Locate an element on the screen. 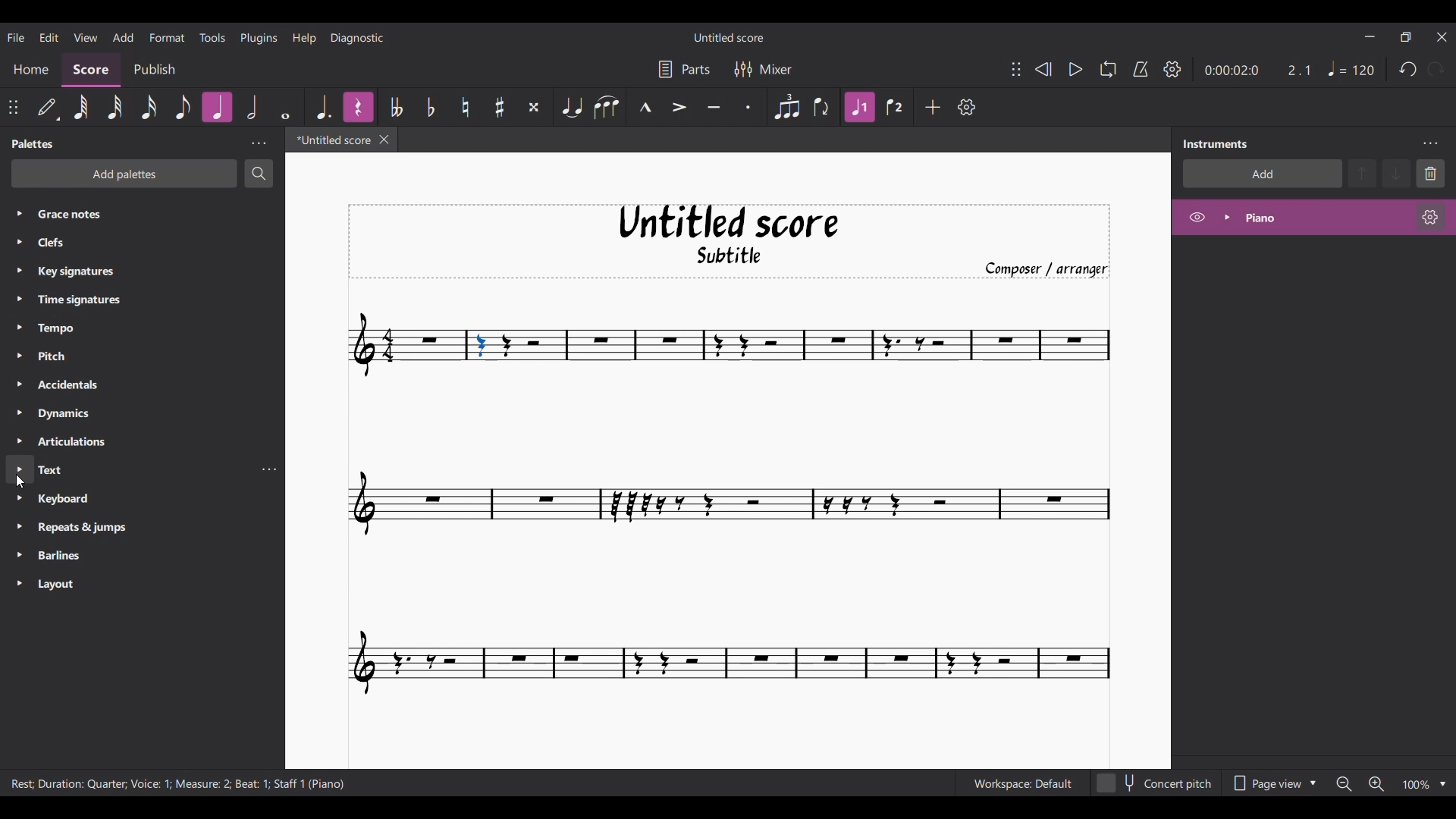 The height and width of the screenshot is (819, 1456). Zoom in is located at coordinates (1376, 784).